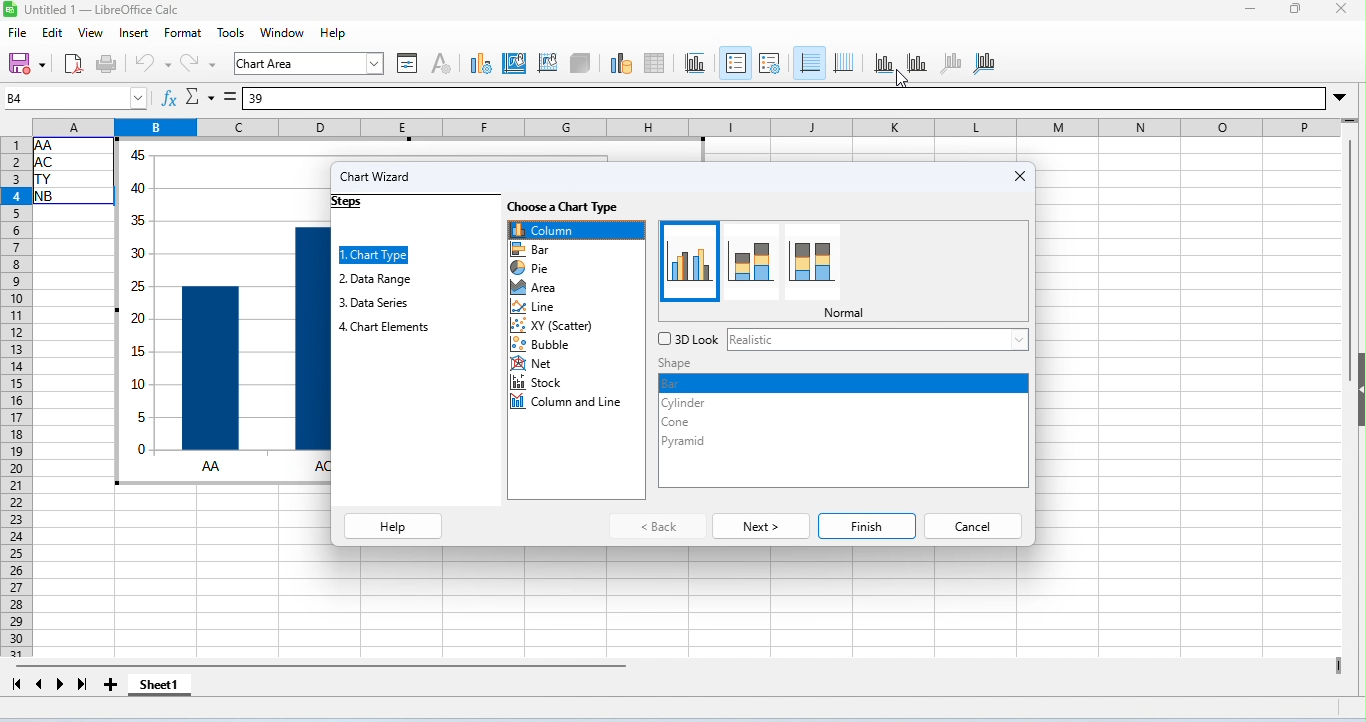 Image resolution: width=1366 pixels, height=722 pixels. I want to click on chart, so click(254, 334).